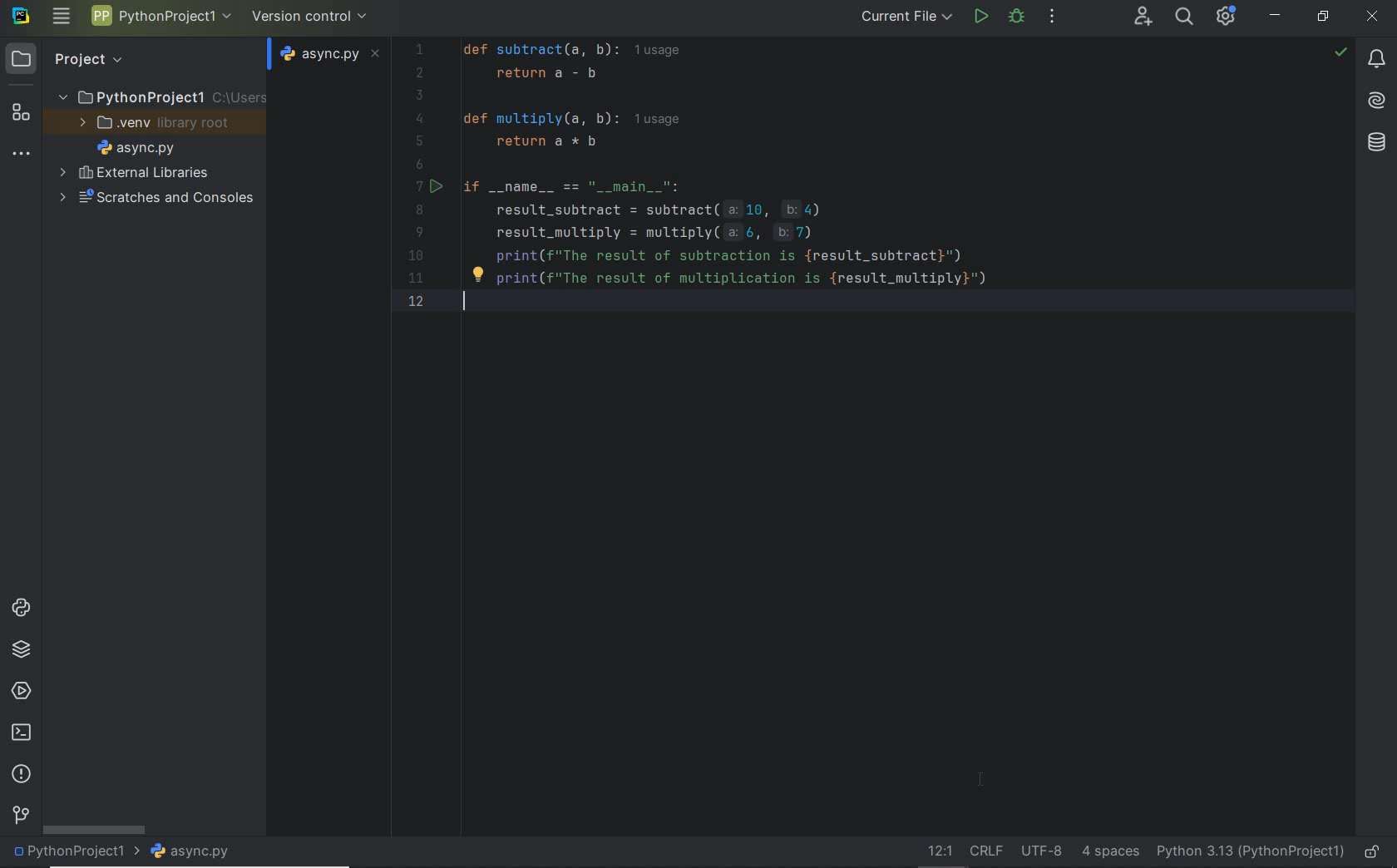  Describe the element at coordinates (19, 115) in the screenshot. I see `structure` at that location.